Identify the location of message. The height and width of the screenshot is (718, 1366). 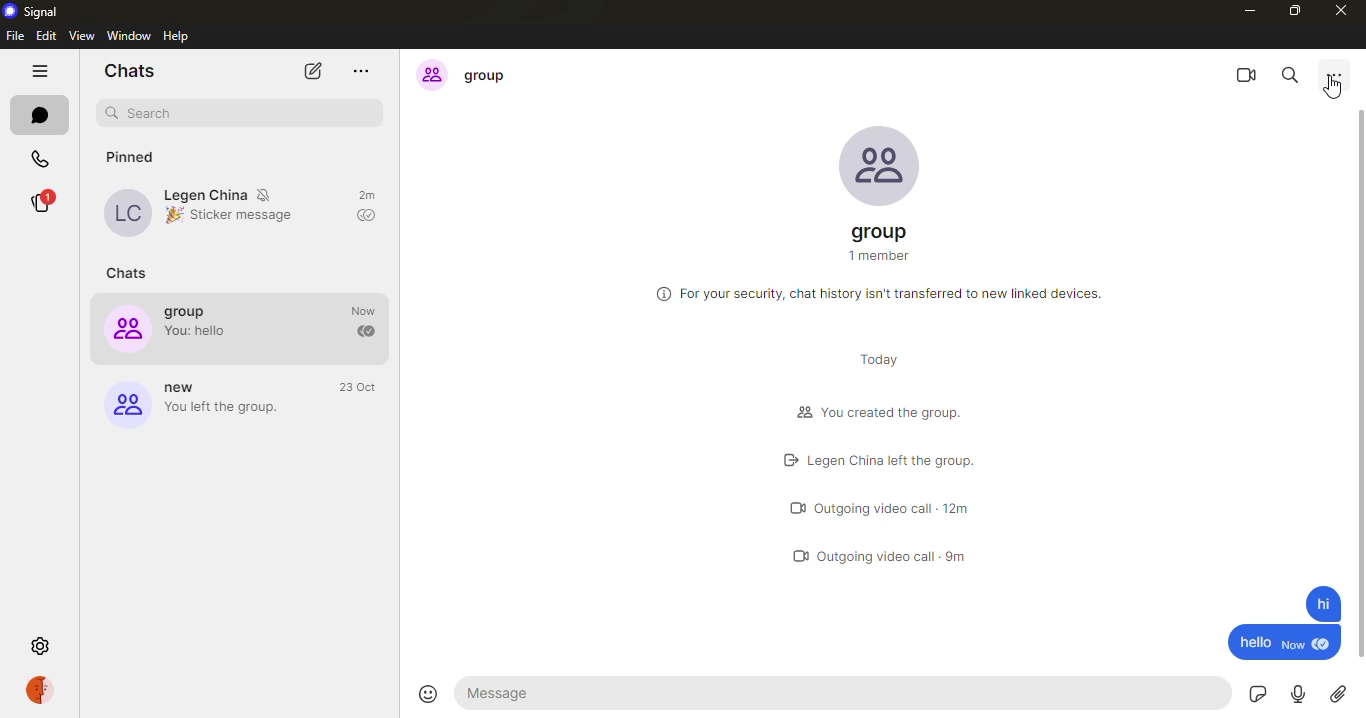
(1319, 606).